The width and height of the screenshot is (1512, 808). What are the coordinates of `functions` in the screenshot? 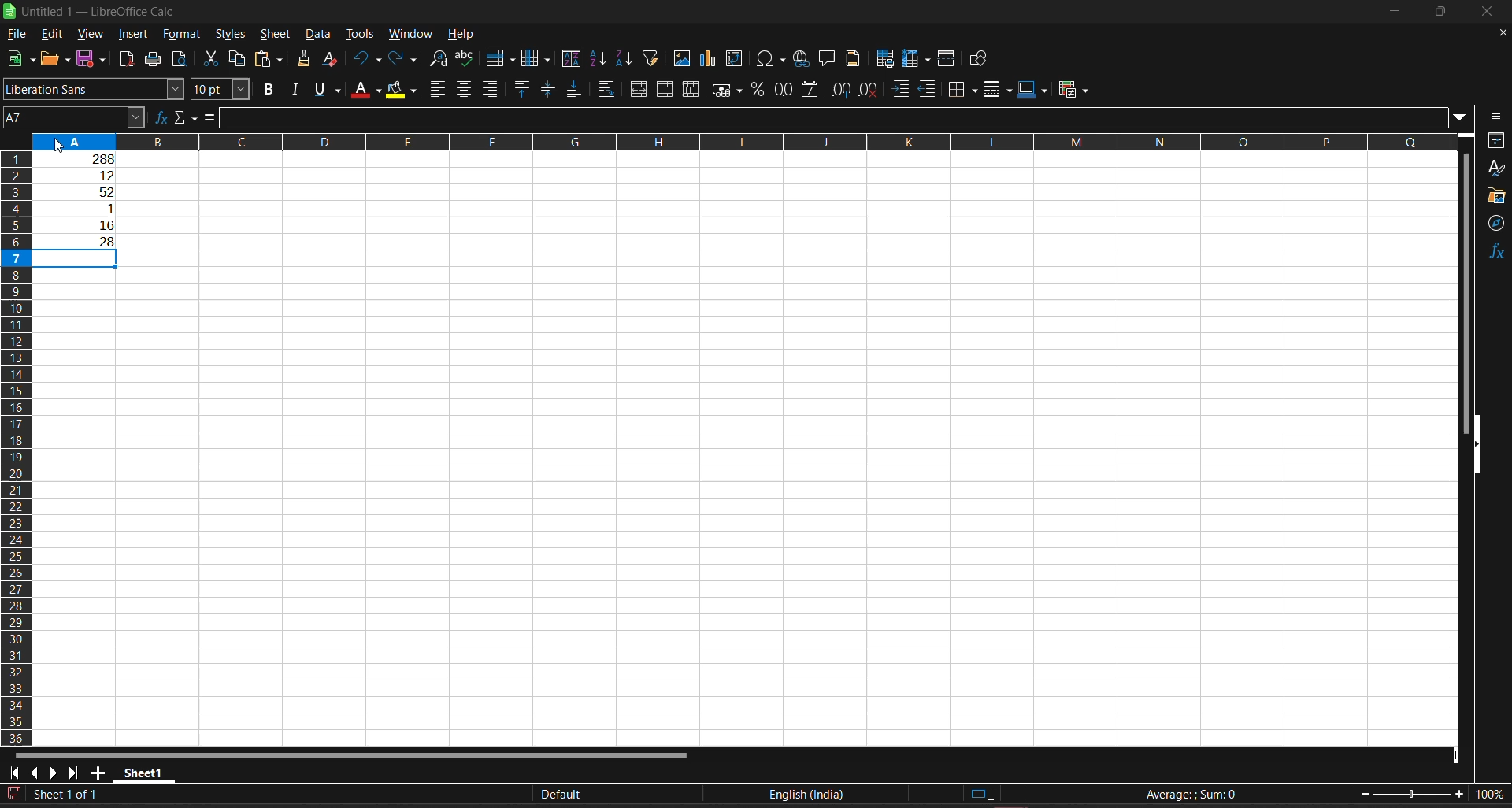 It's located at (1497, 253).